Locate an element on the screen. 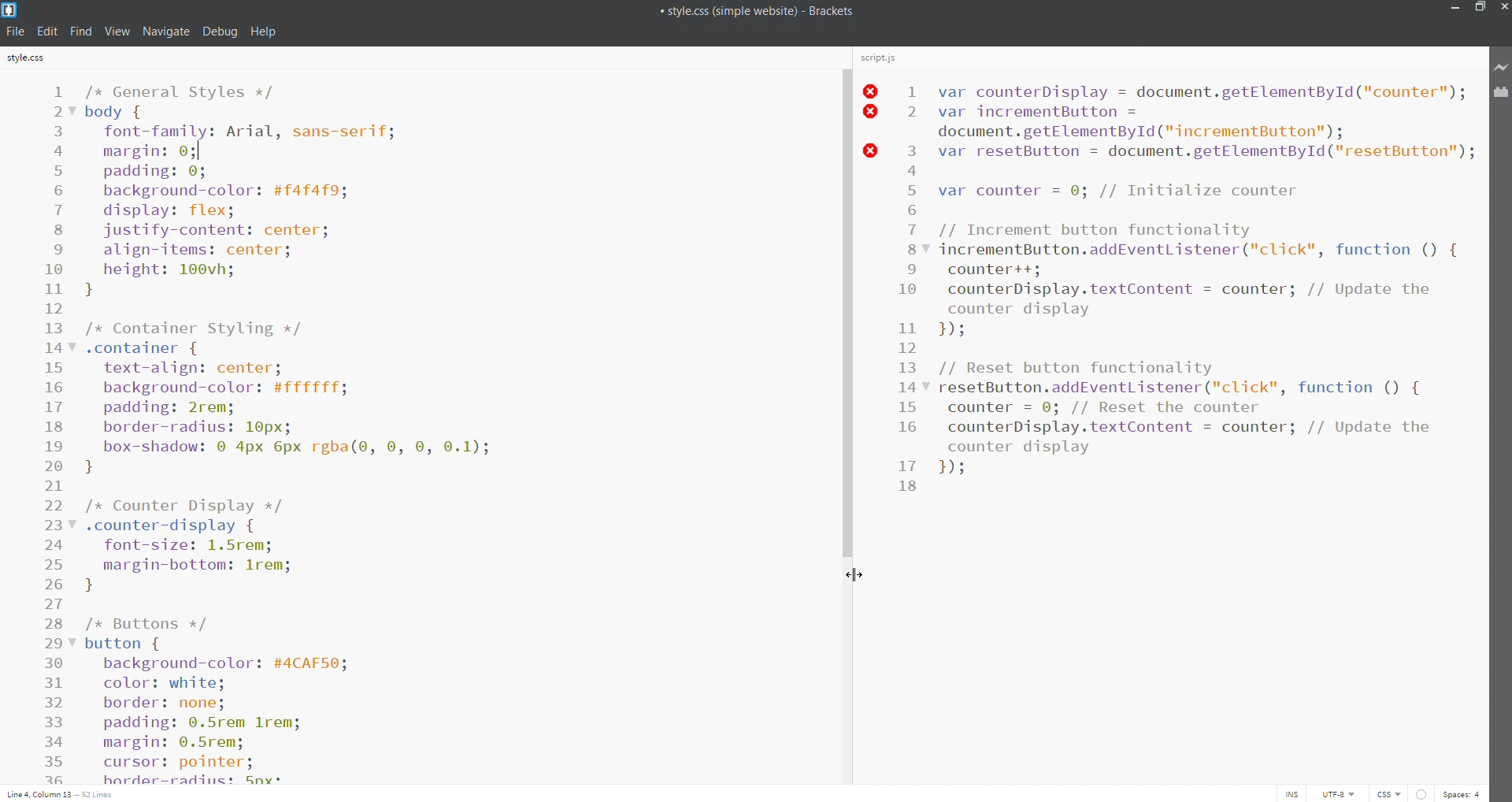 The width and height of the screenshot is (1512, 802). close is located at coordinates (1503, 8).